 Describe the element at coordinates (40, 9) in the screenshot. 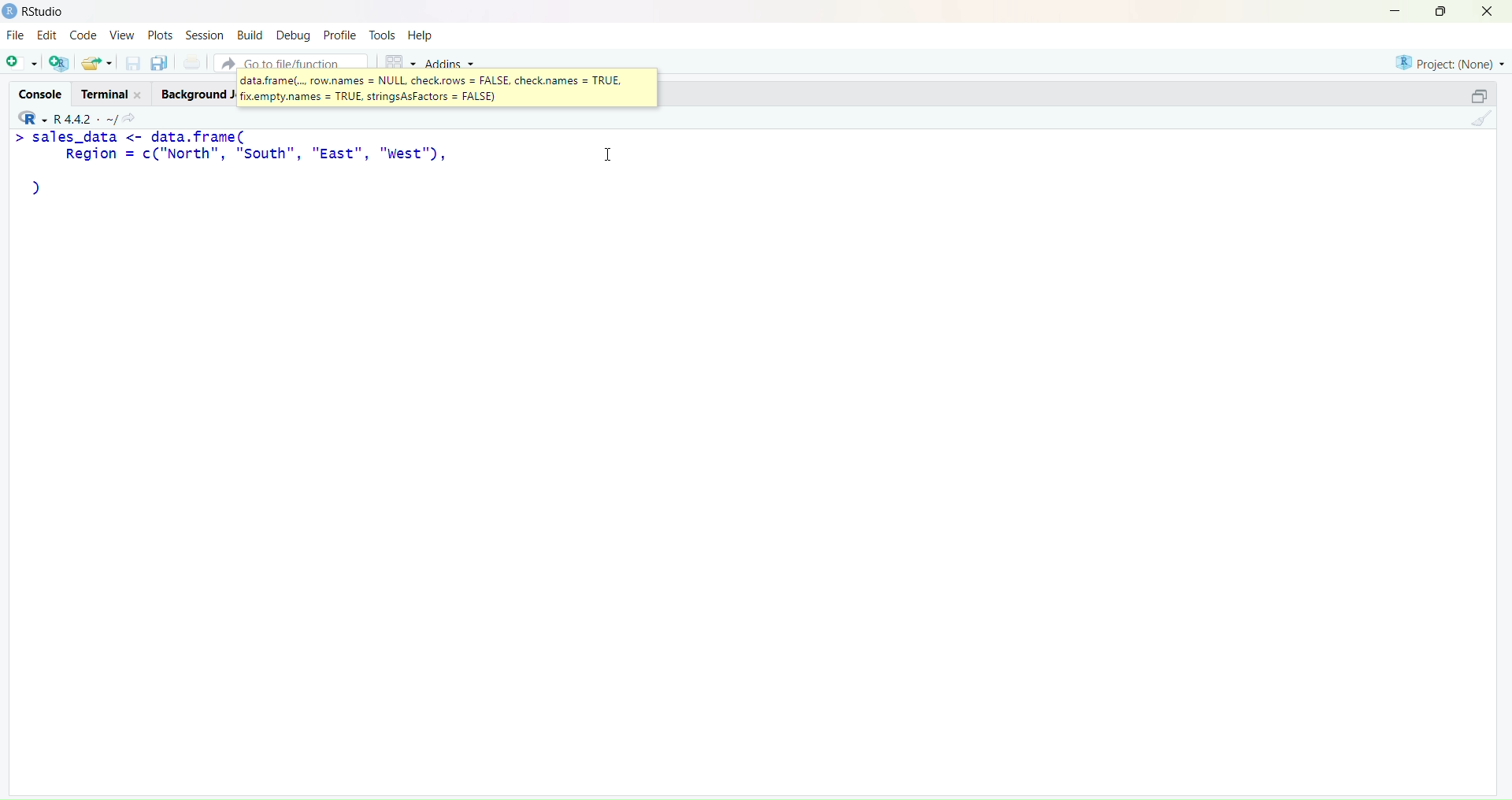

I see `) RStudio` at that location.